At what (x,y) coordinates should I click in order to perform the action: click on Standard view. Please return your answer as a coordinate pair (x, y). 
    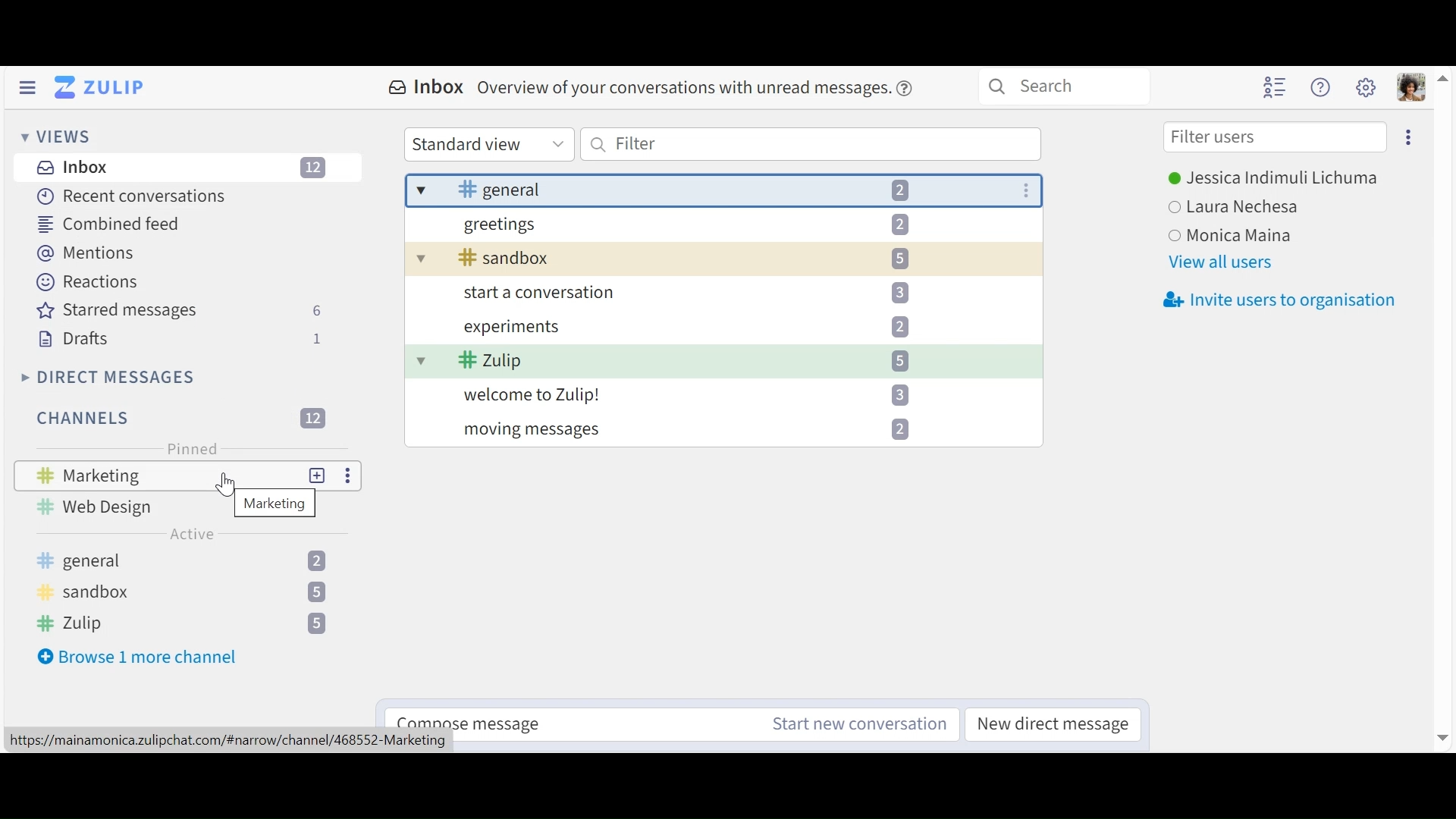
    Looking at the image, I should click on (488, 144).